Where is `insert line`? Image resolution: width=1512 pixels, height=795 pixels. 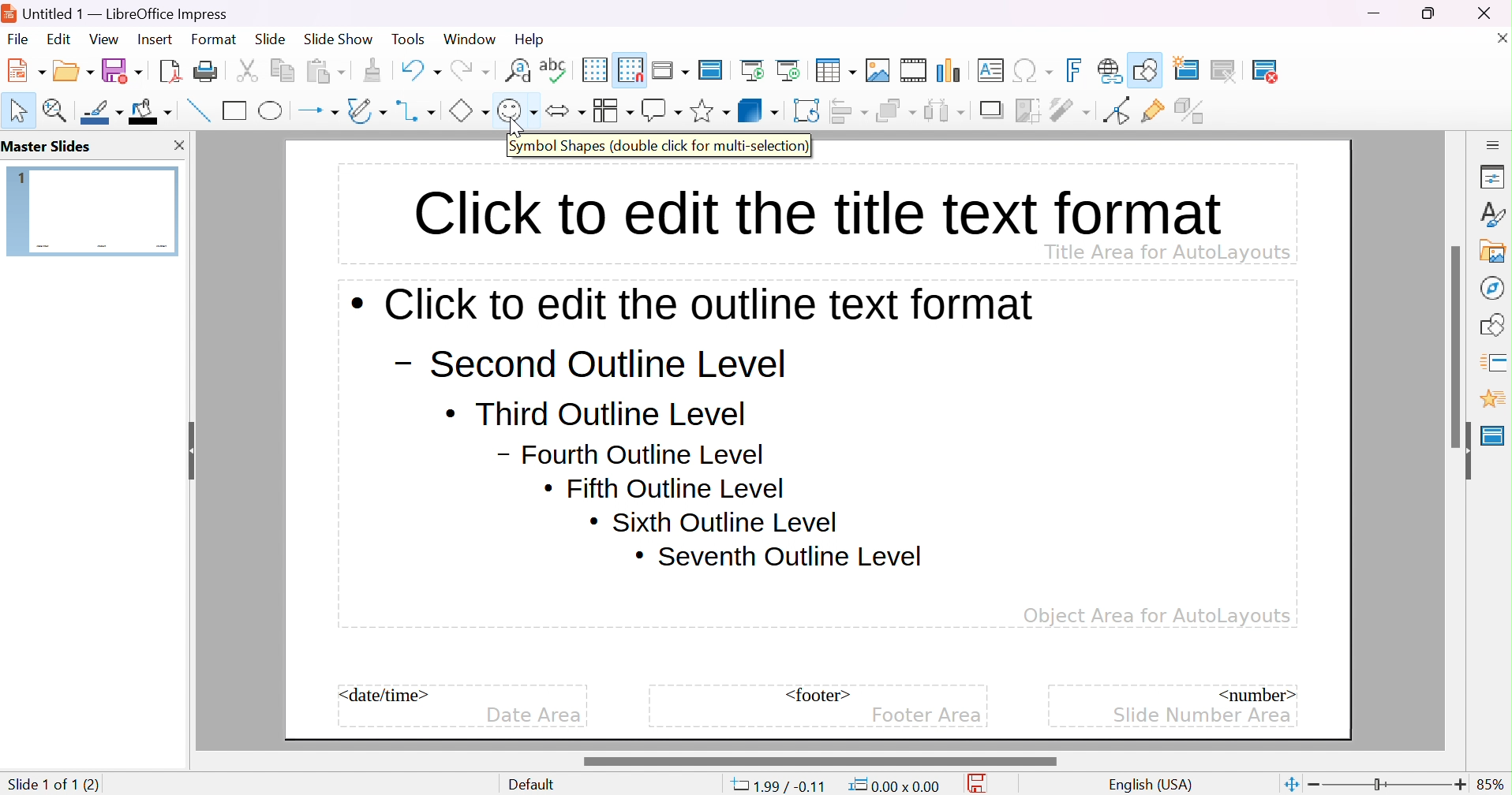 insert line is located at coordinates (196, 110).